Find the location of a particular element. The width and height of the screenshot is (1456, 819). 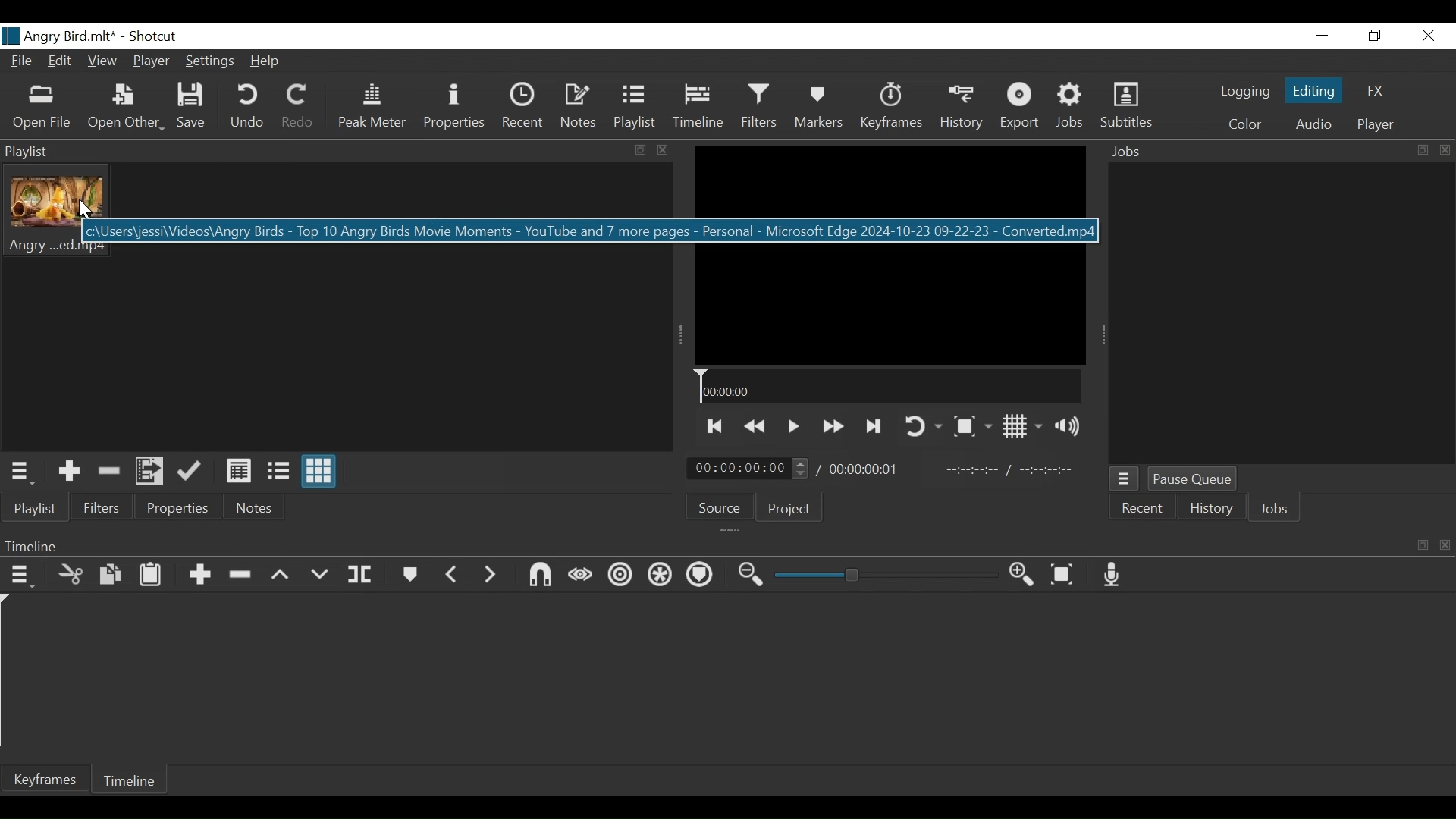

Help is located at coordinates (263, 61).